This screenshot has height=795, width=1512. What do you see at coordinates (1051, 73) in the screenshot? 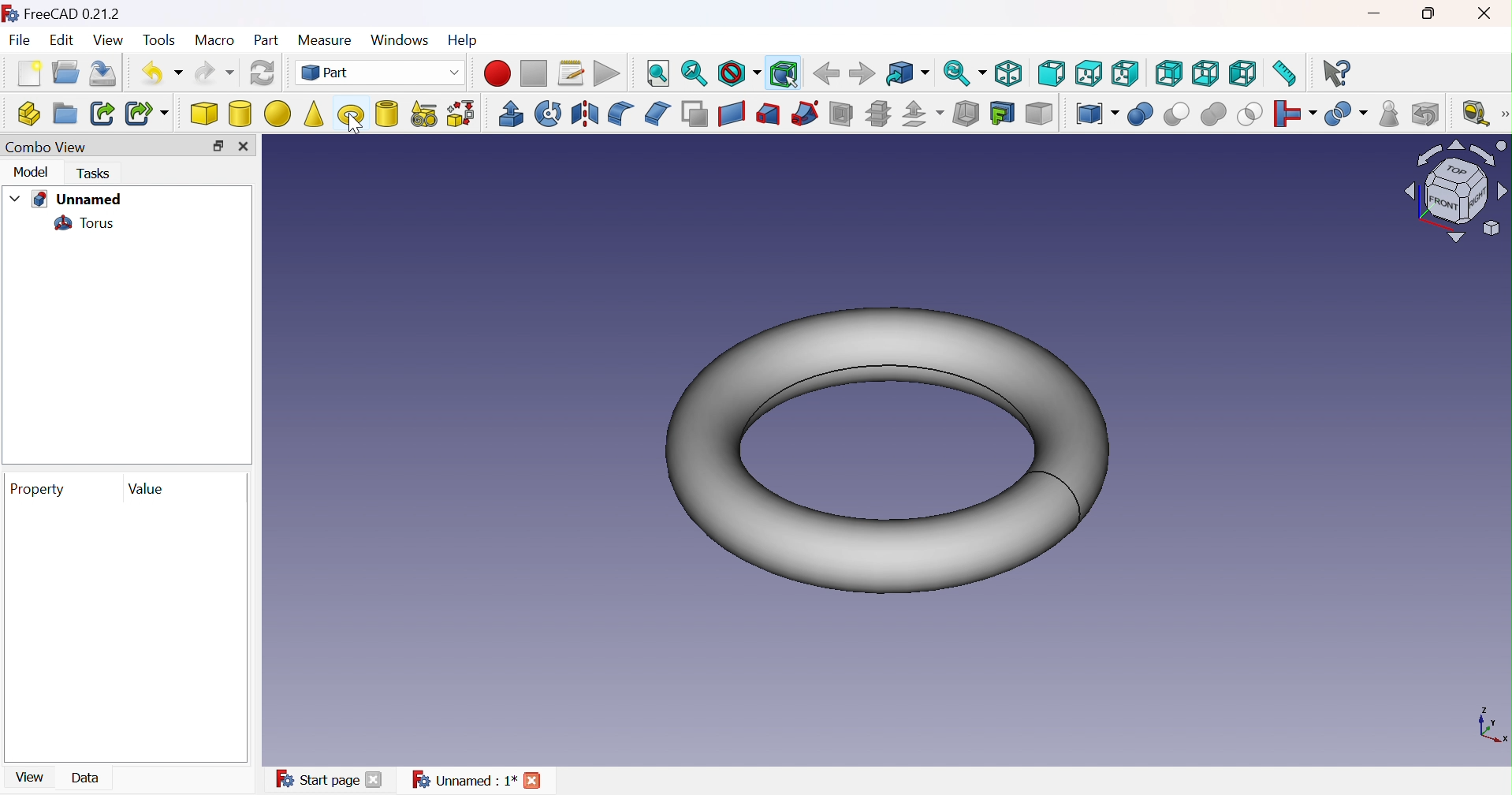
I see `Front` at bounding box center [1051, 73].